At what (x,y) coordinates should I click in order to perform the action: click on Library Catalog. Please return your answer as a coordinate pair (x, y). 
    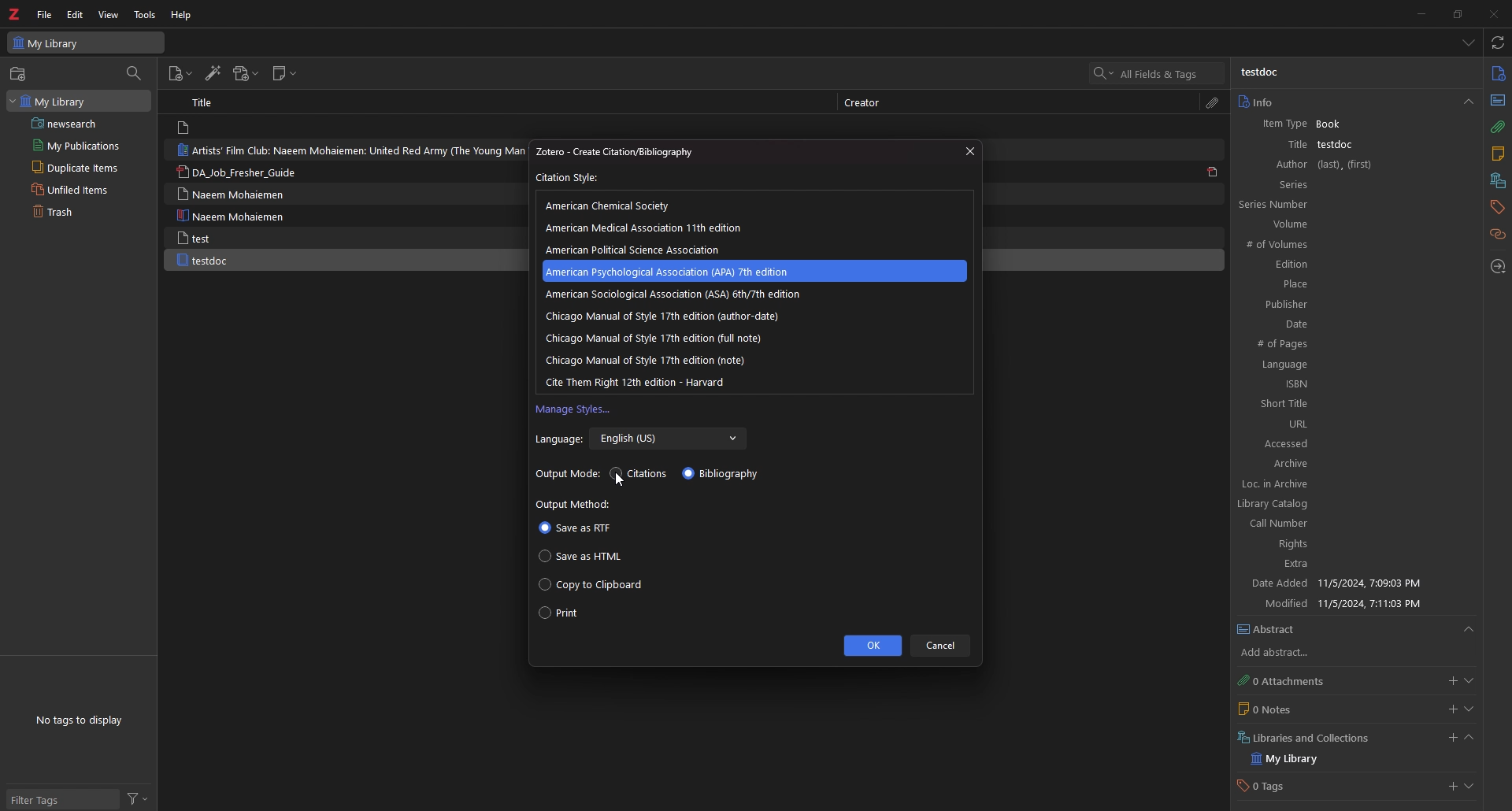
    Looking at the image, I should click on (1342, 502).